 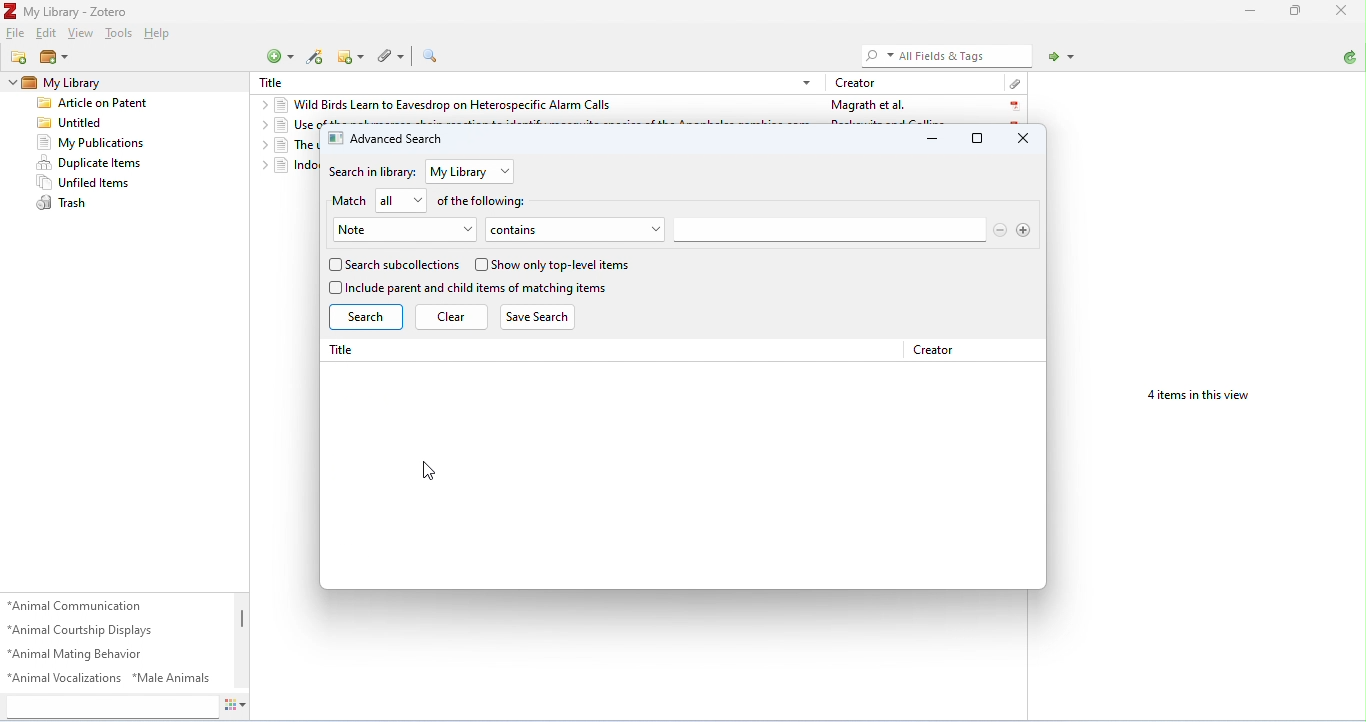 I want to click on duplicate items, so click(x=90, y=162).